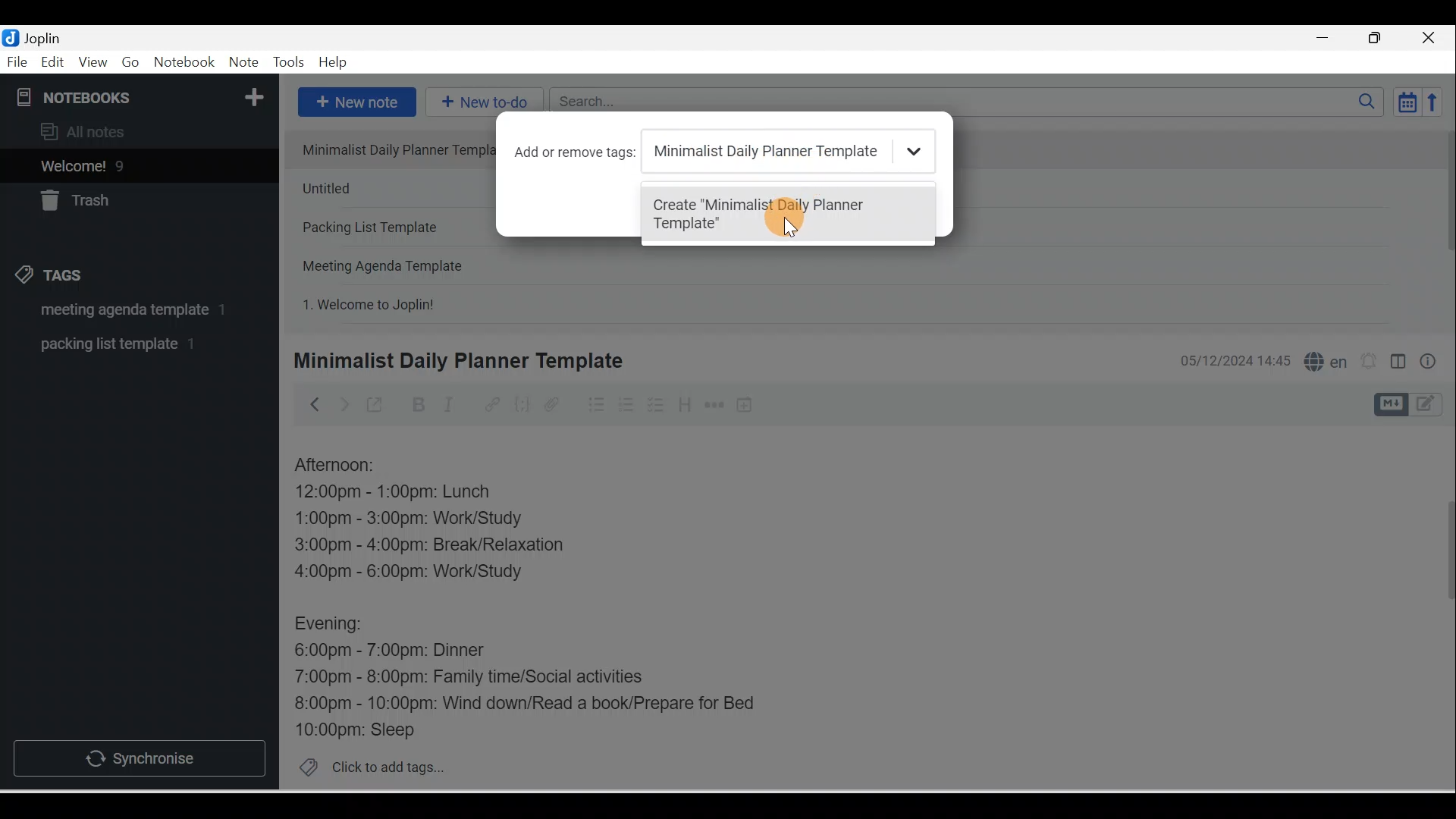  Describe the element at coordinates (143, 94) in the screenshot. I see `Notebooks` at that location.